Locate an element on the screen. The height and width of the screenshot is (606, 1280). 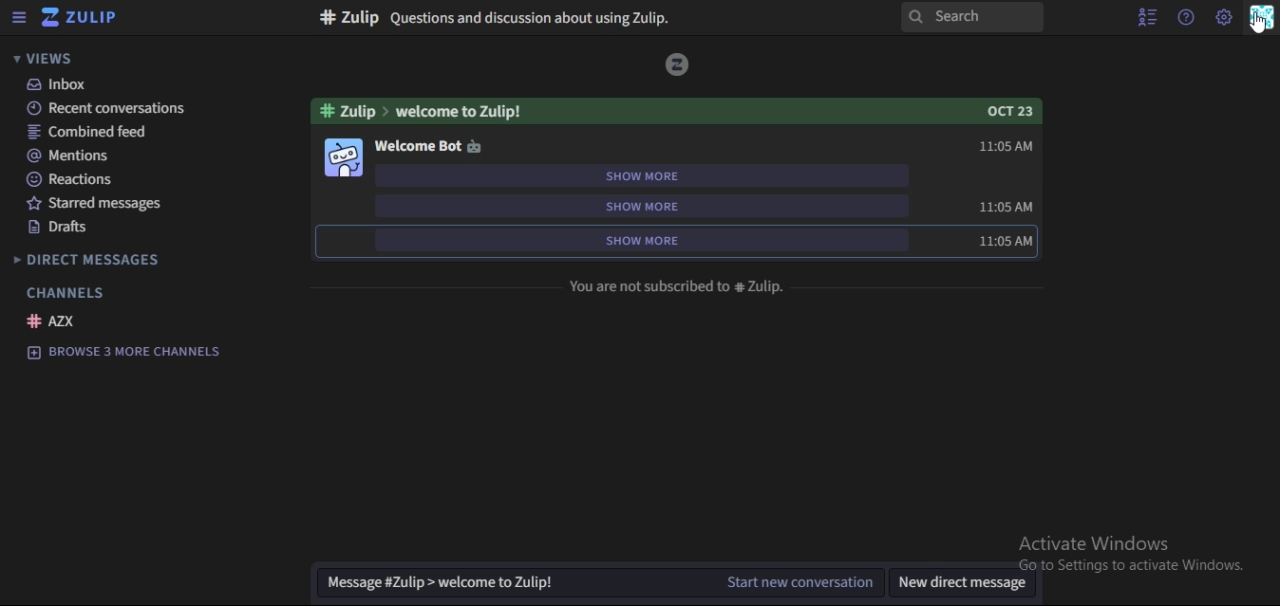
hamburger is located at coordinates (18, 19).